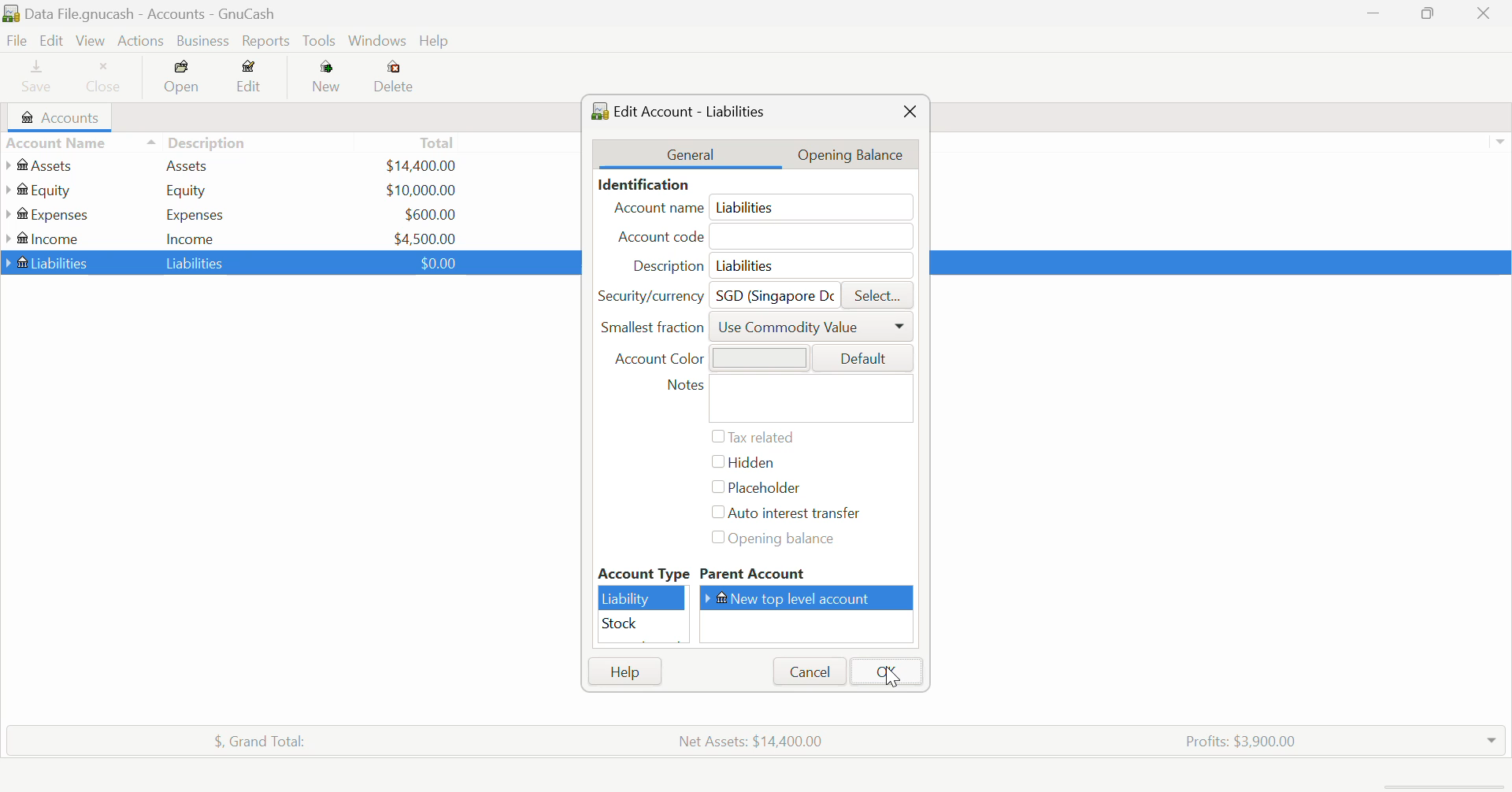 The image size is (1512, 792). I want to click on Edit Account - Liabilities, so click(684, 109).